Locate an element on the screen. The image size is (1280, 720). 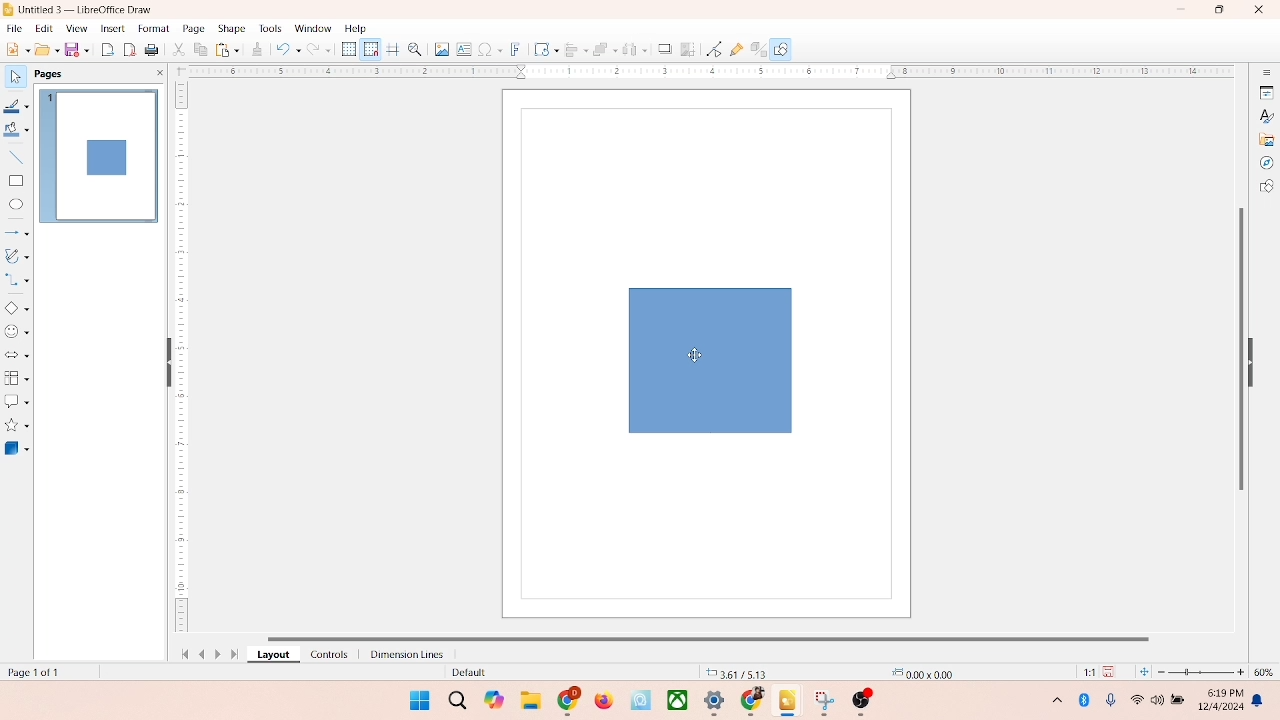
minimize is located at coordinates (1183, 9).